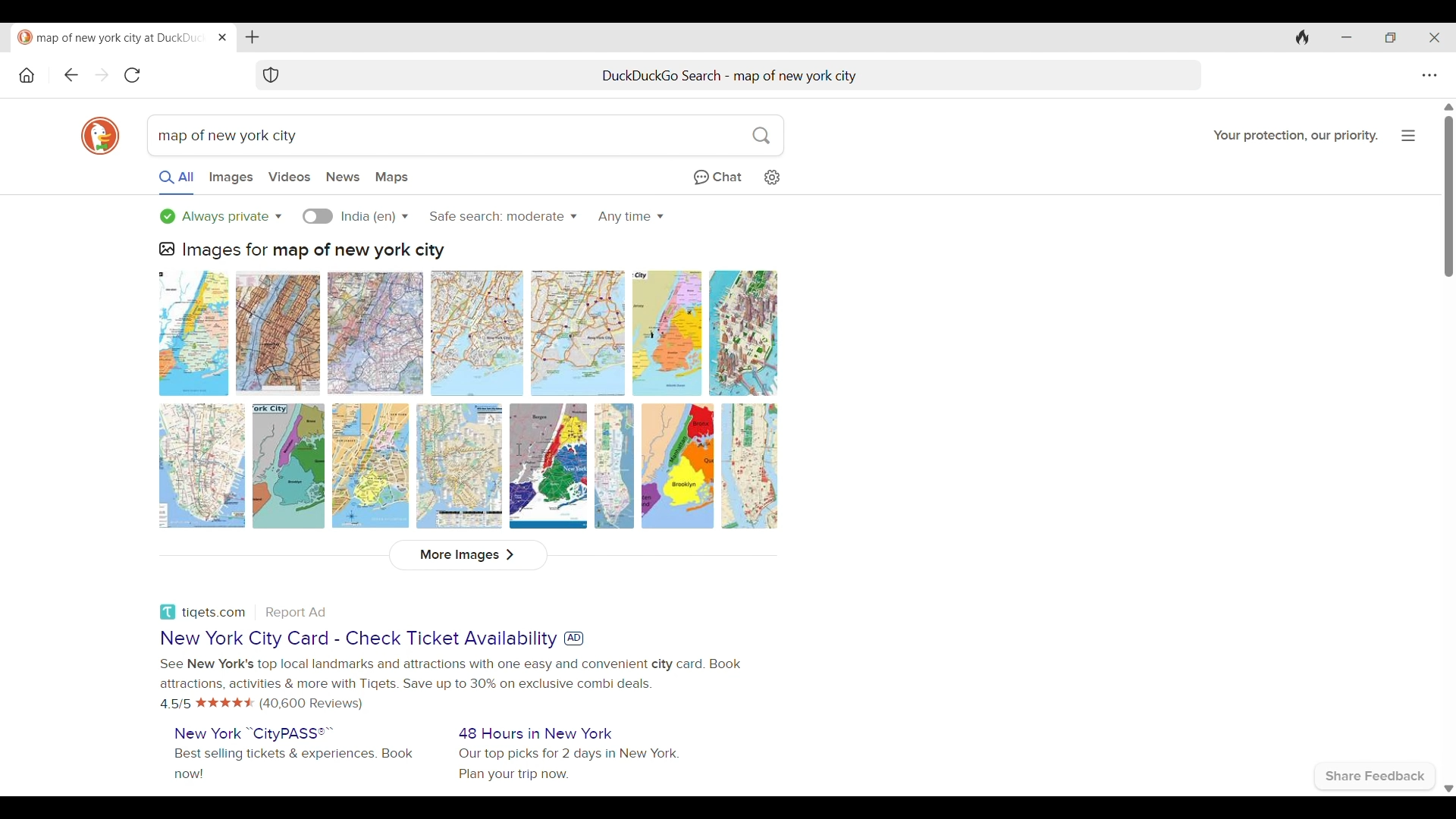  Describe the element at coordinates (252, 37) in the screenshot. I see `Add new tab` at that location.